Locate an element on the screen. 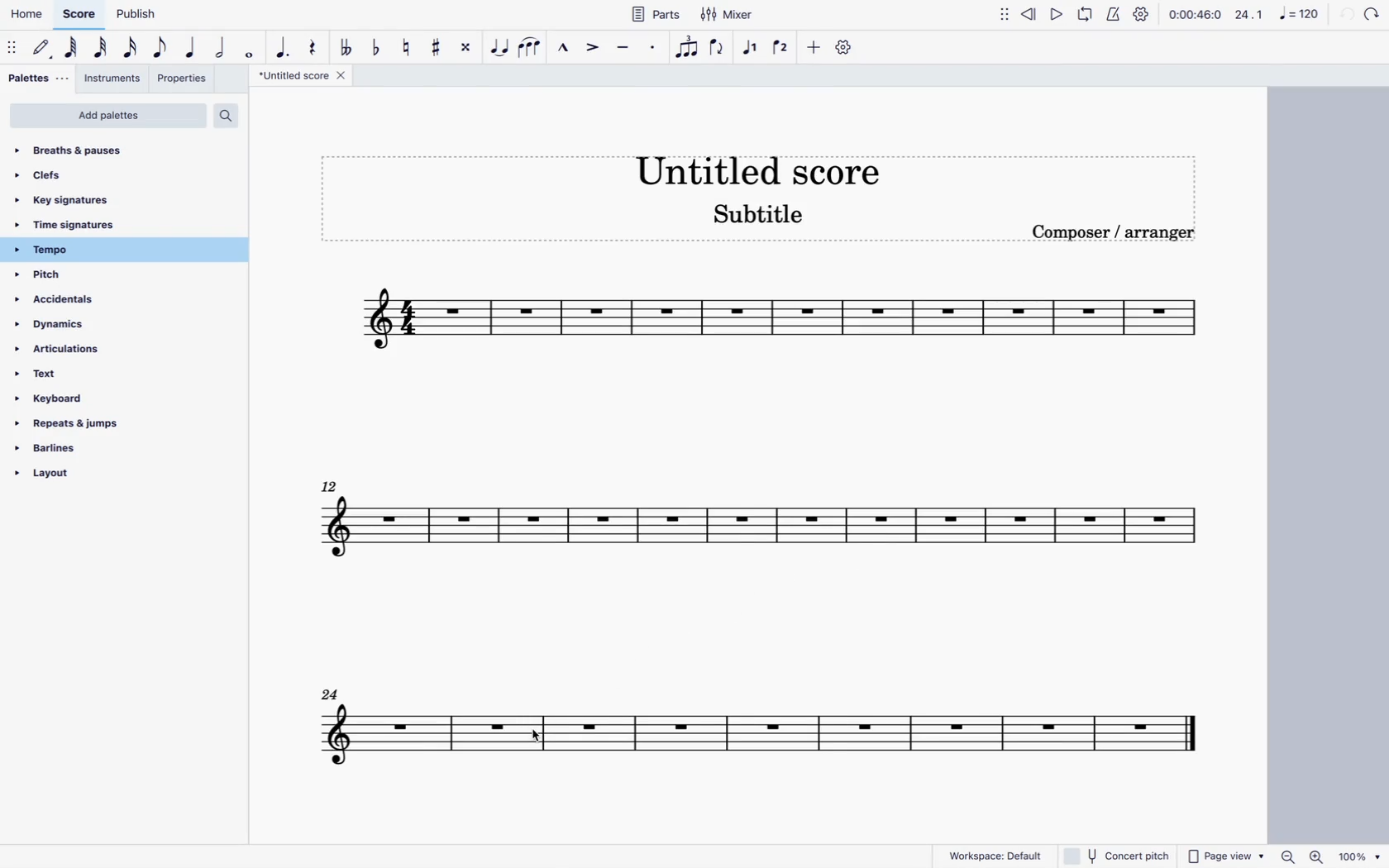 The height and width of the screenshot is (868, 1389). score is located at coordinates (771, 530).